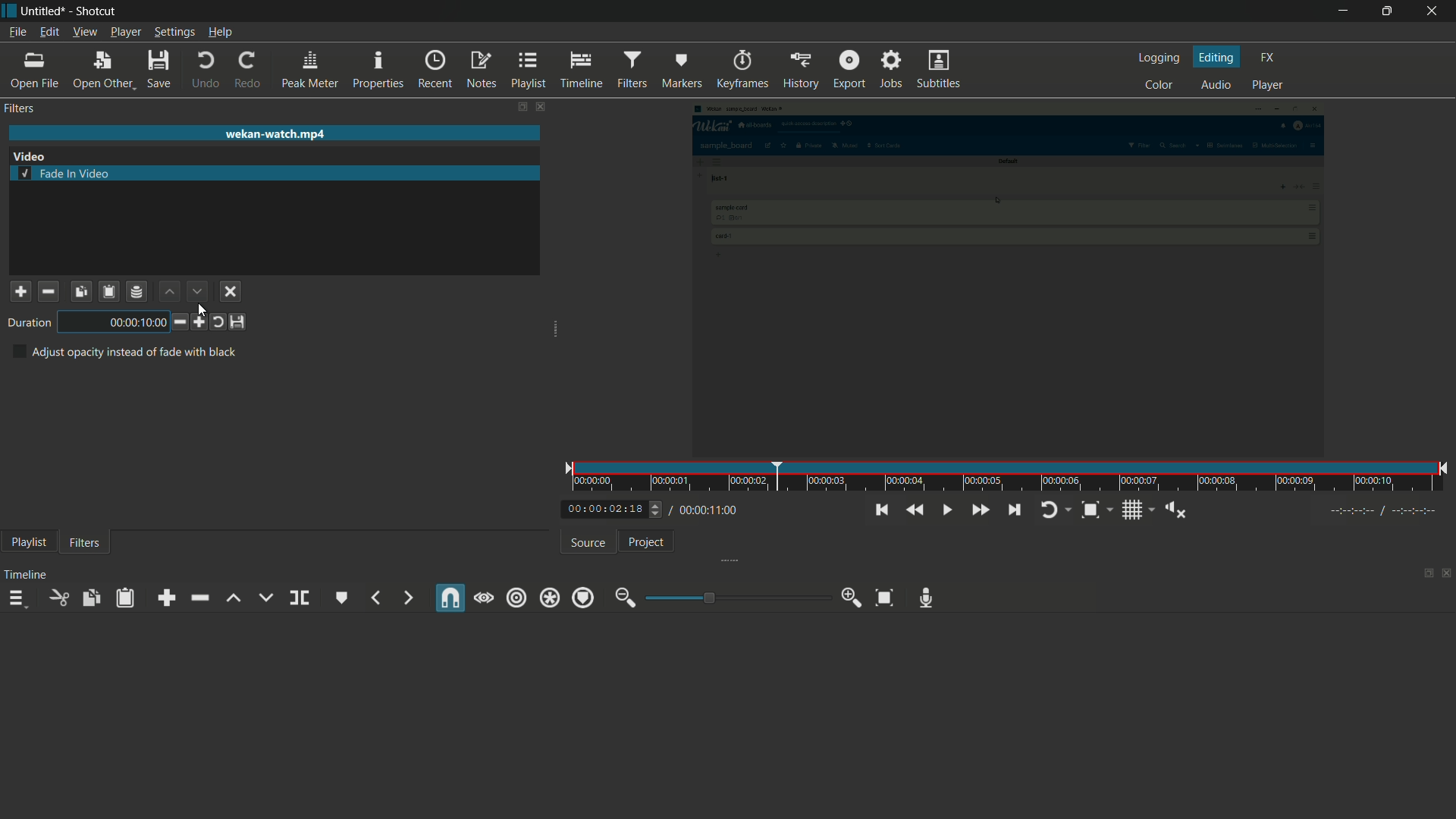  What do you see at coordinates (925, 598) in the screenshot?
I see `record audio` at bounding box center [925, 598].